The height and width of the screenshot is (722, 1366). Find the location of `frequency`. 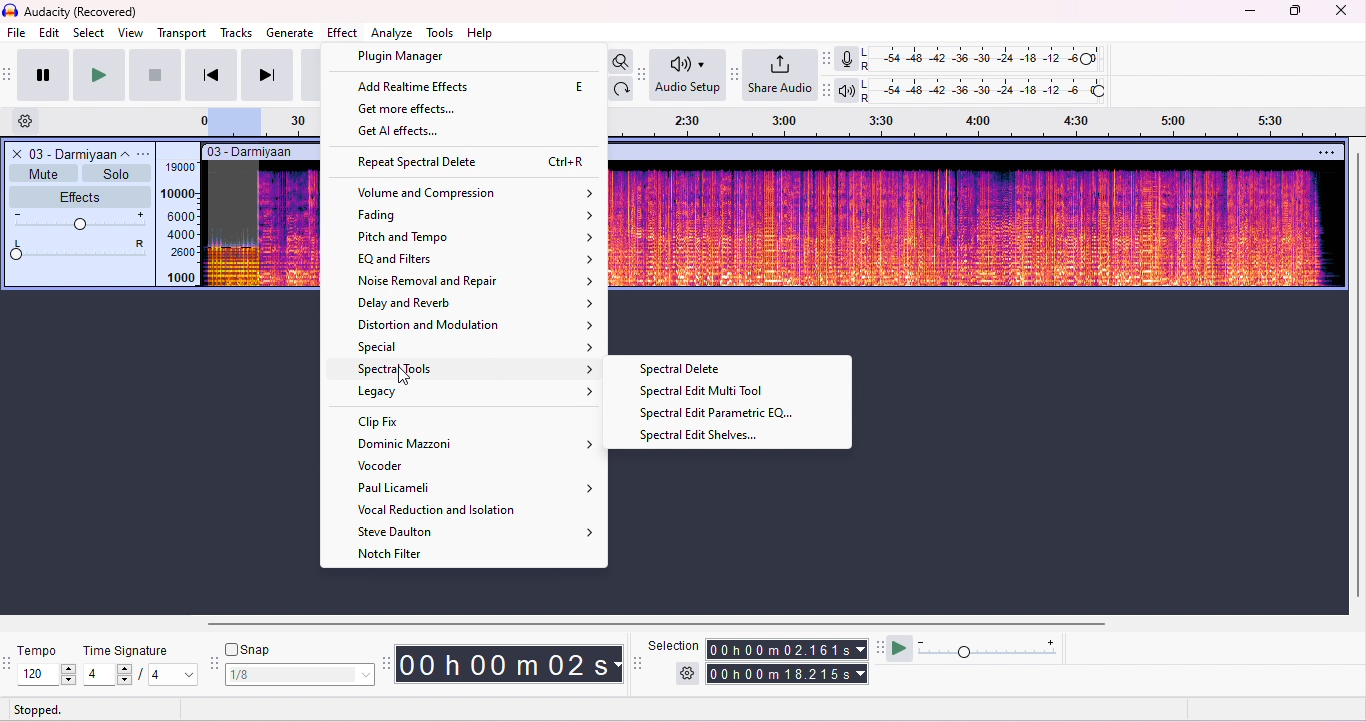

frequency is located at coordinates (181, 224).